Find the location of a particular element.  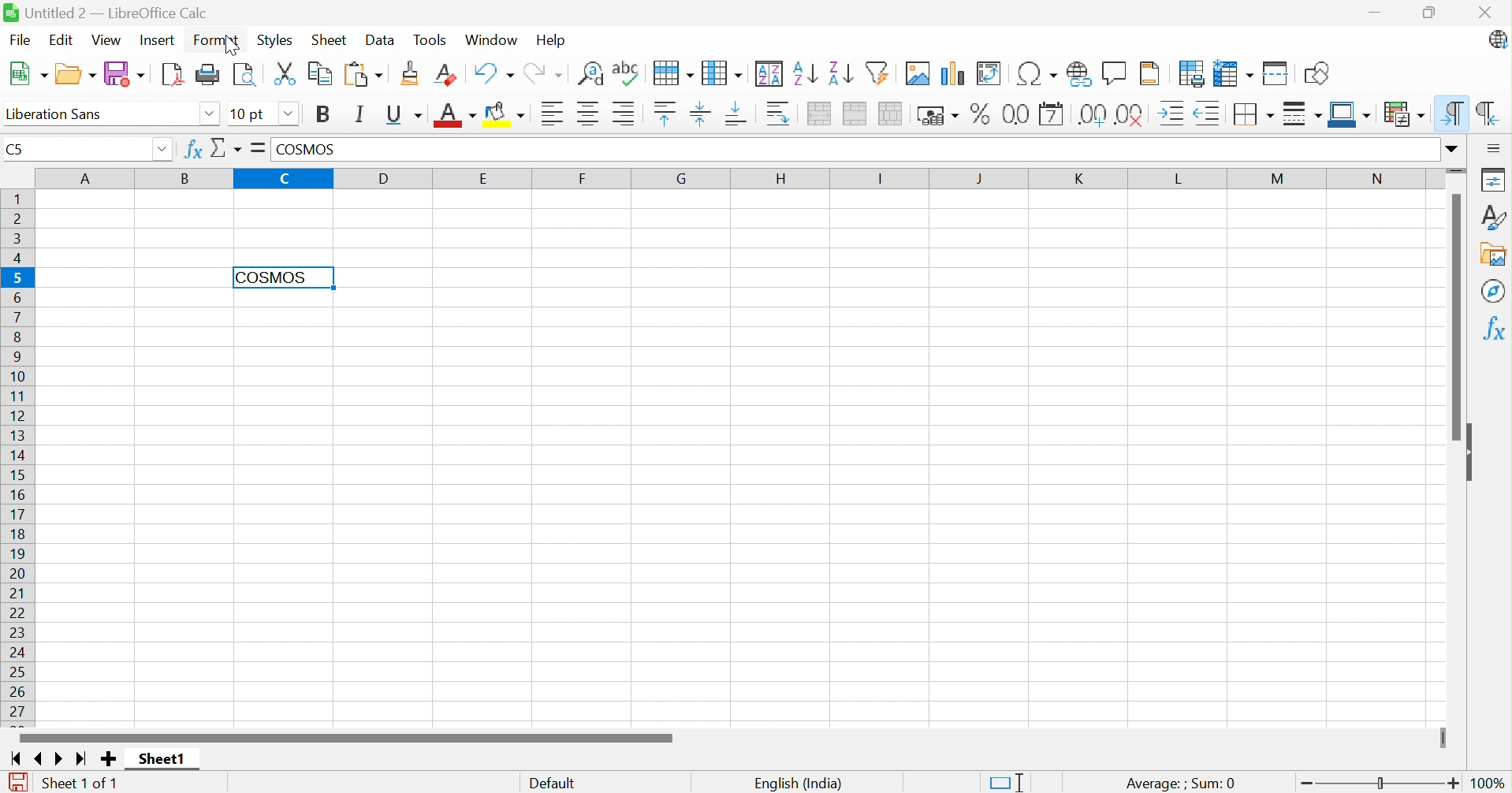

Scroll Bar is located at coordinates (348, 738).